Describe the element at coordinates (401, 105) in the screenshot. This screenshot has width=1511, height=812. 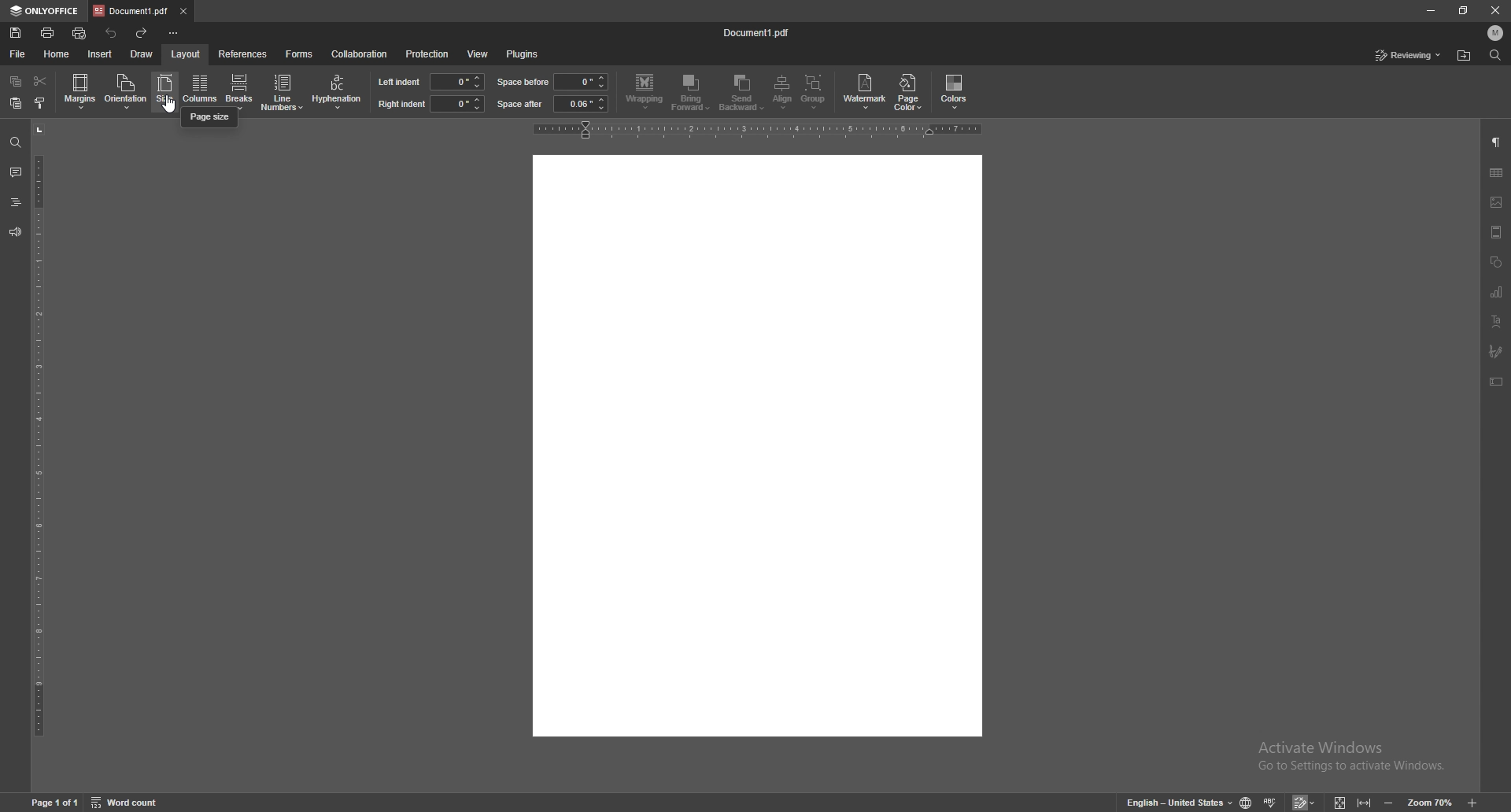
I see `right indent` at that location.